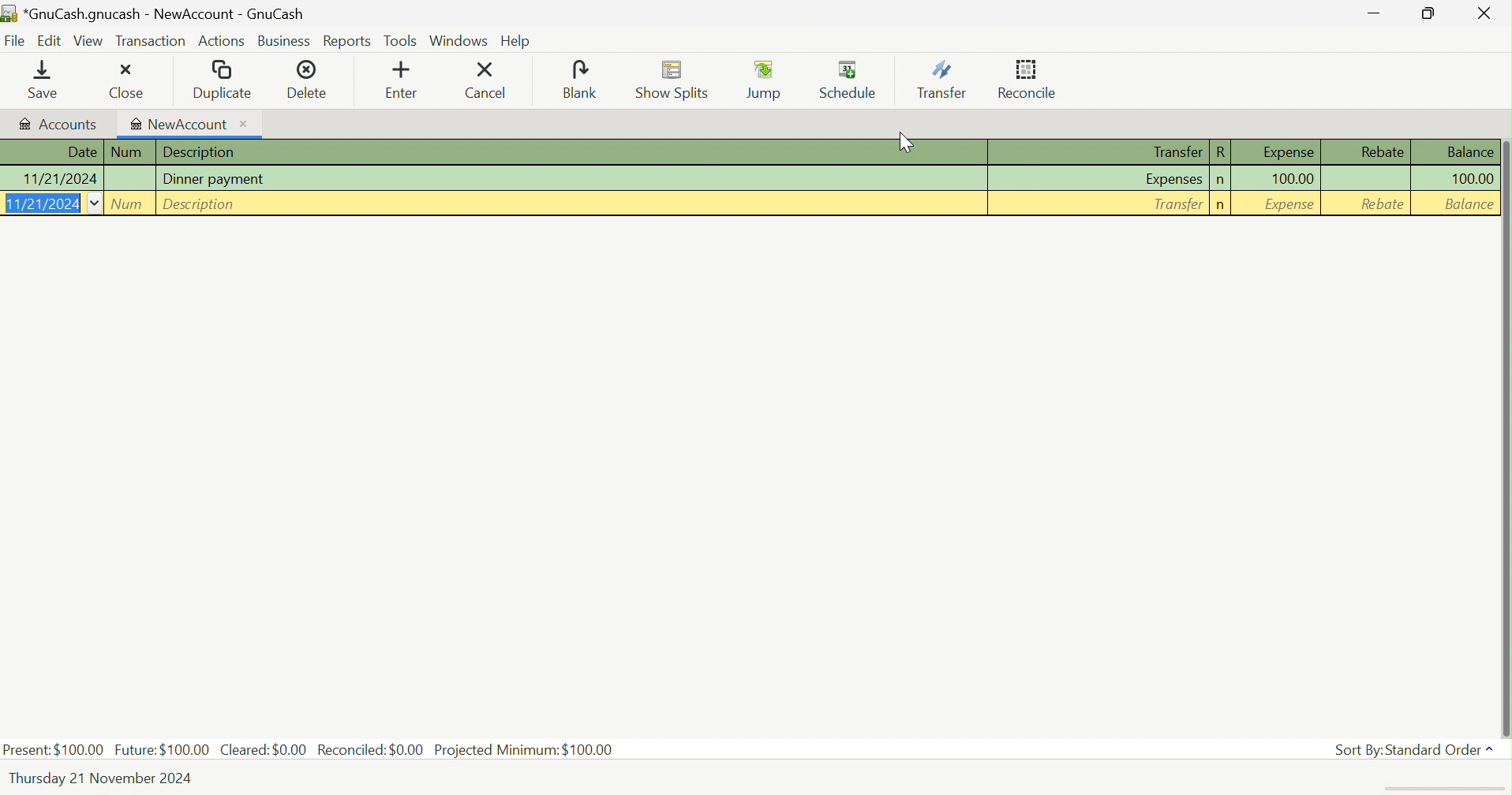 The height and width of the screenshot is (795, 1512). What do you see at coordinates (673, 80) in the screenshot?
I see `Show Splits` at bounding box center [673, 80].